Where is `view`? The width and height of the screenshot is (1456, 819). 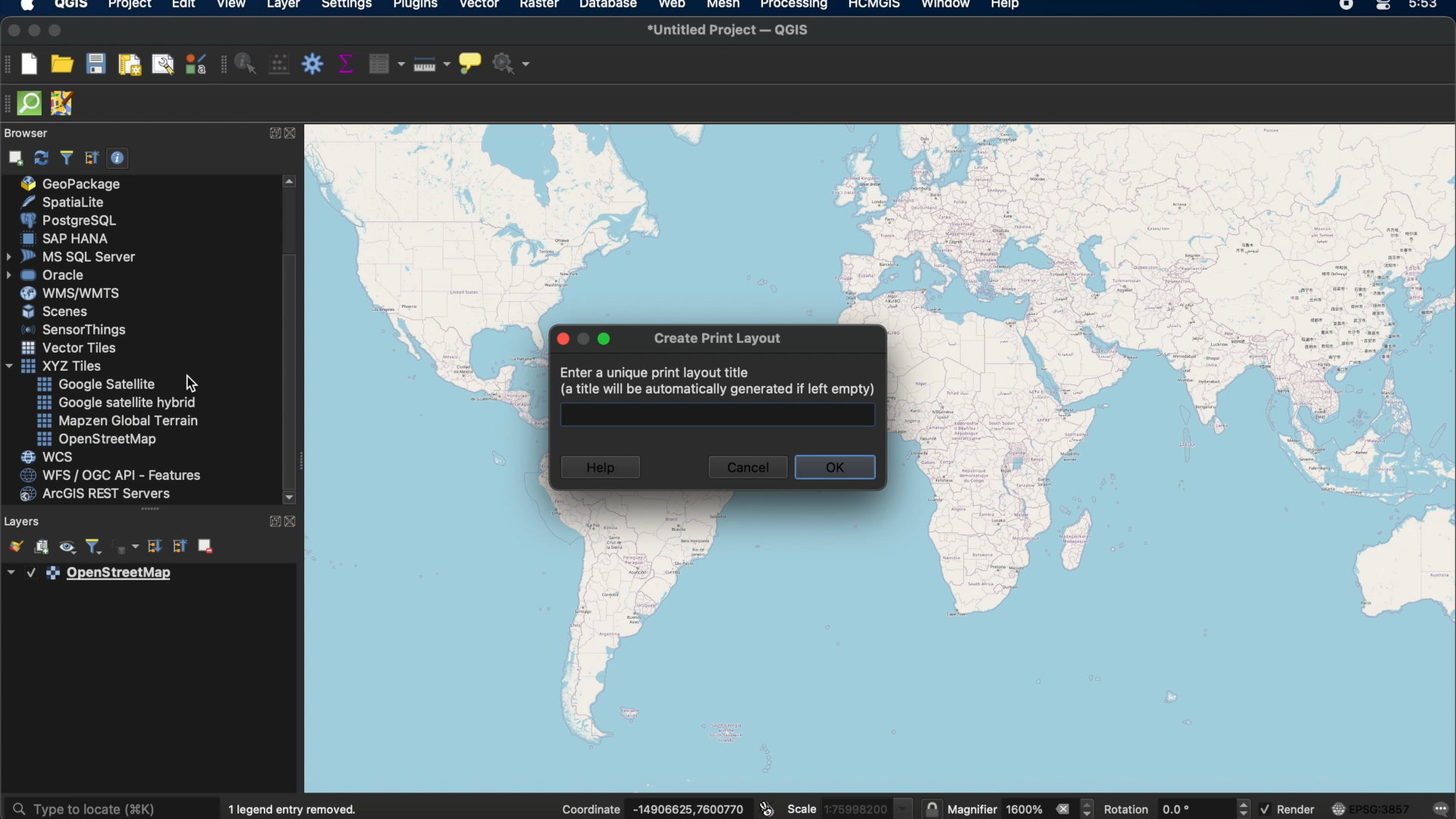
view is located at coordinates (231, 7).